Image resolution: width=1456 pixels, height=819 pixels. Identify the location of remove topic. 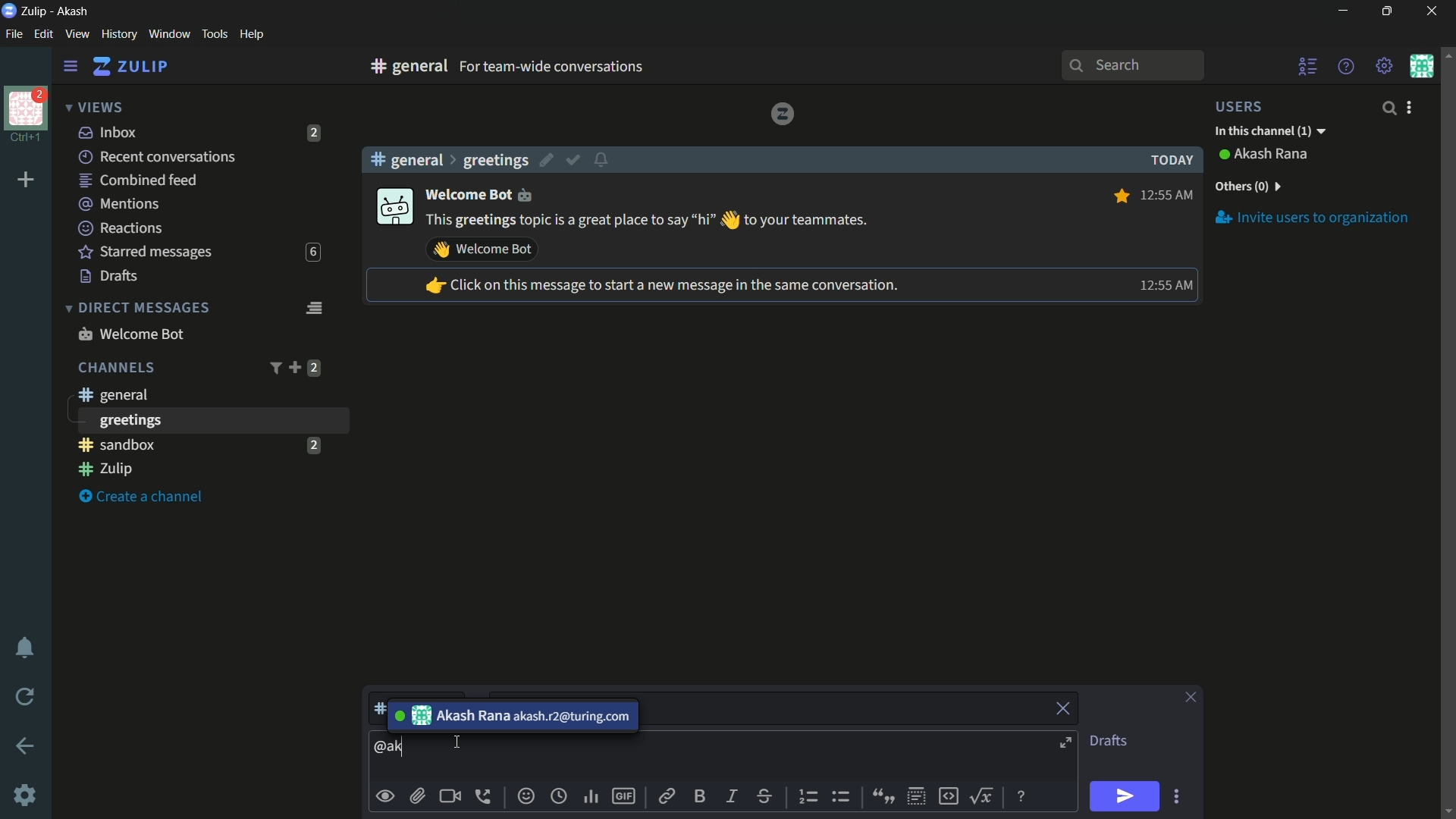
(1065, 707).